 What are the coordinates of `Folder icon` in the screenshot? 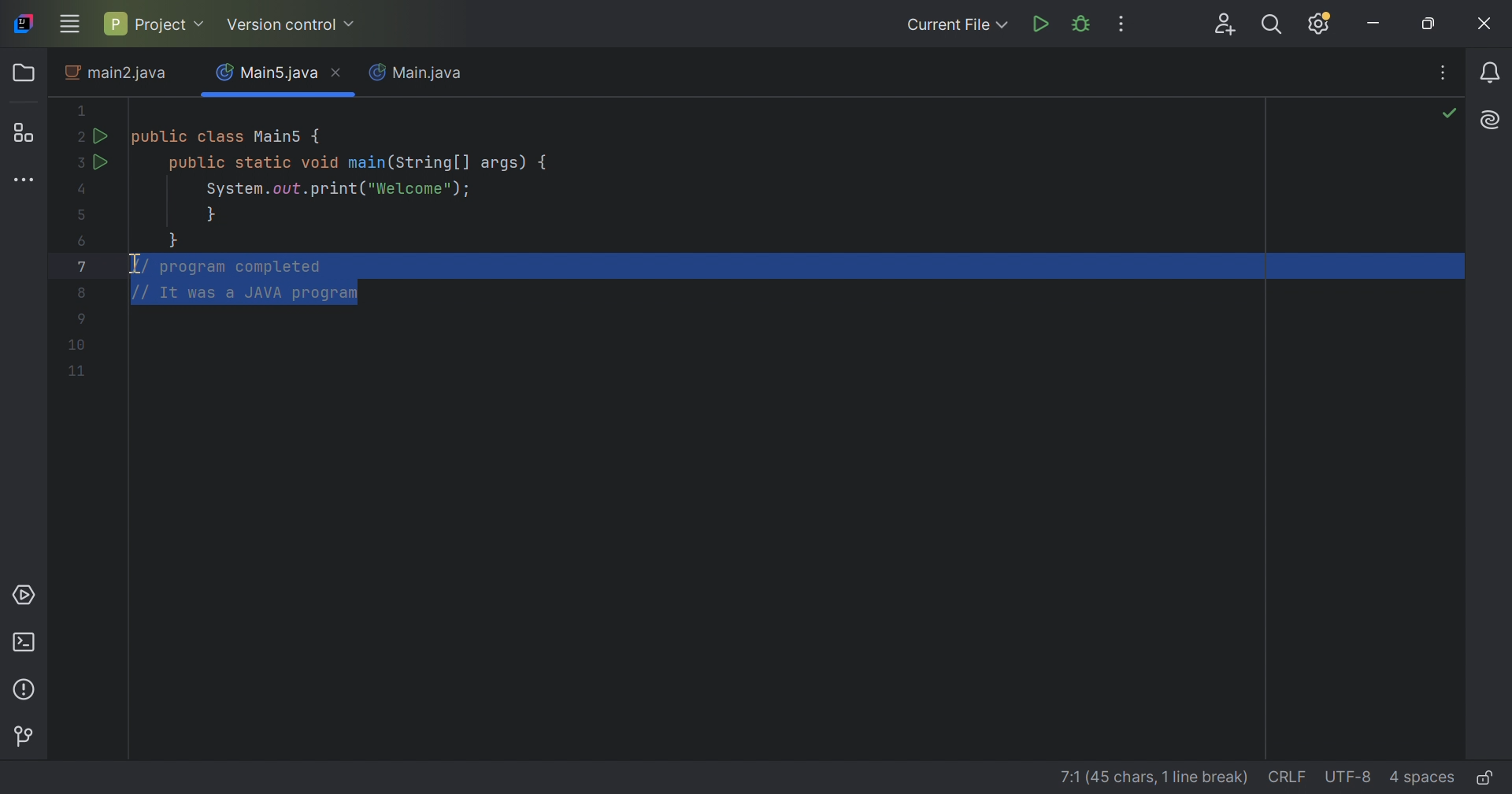 It's located at (24, 74).